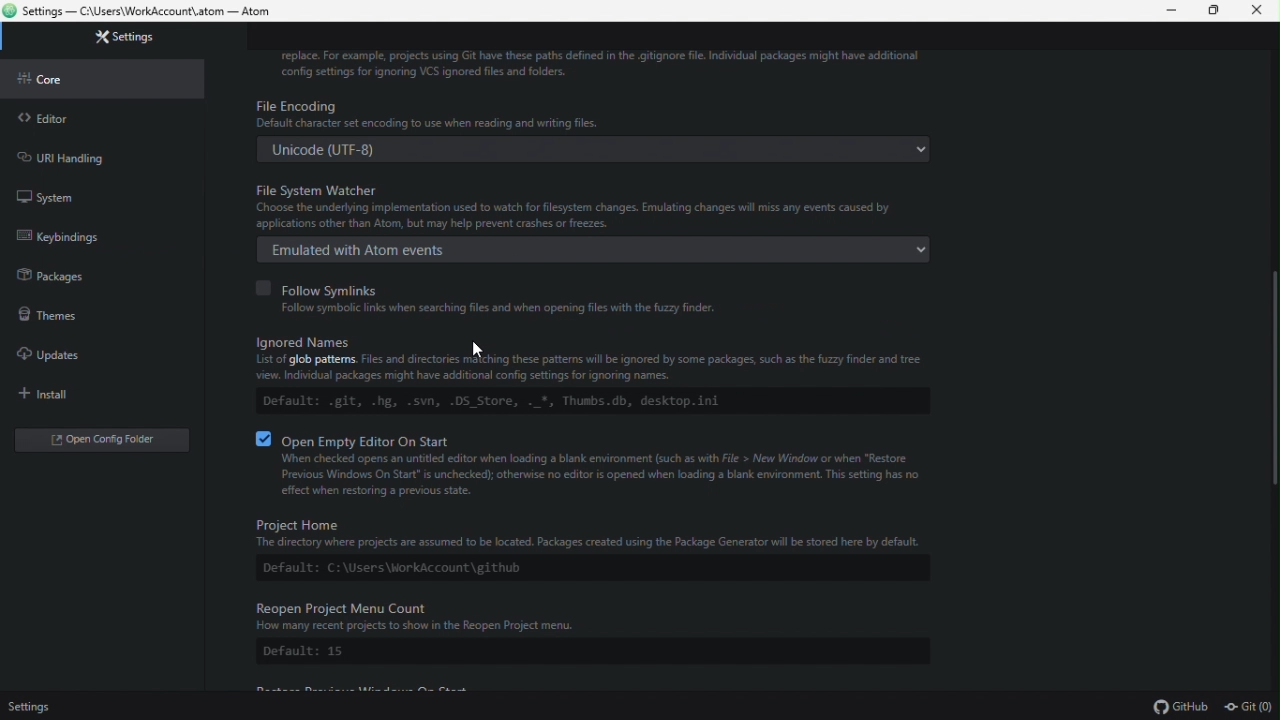 The width and height of the screenshot is (1280, 720). Describe the element at coordinates (27, 707) in the screenshot. I see `setings` at that location.